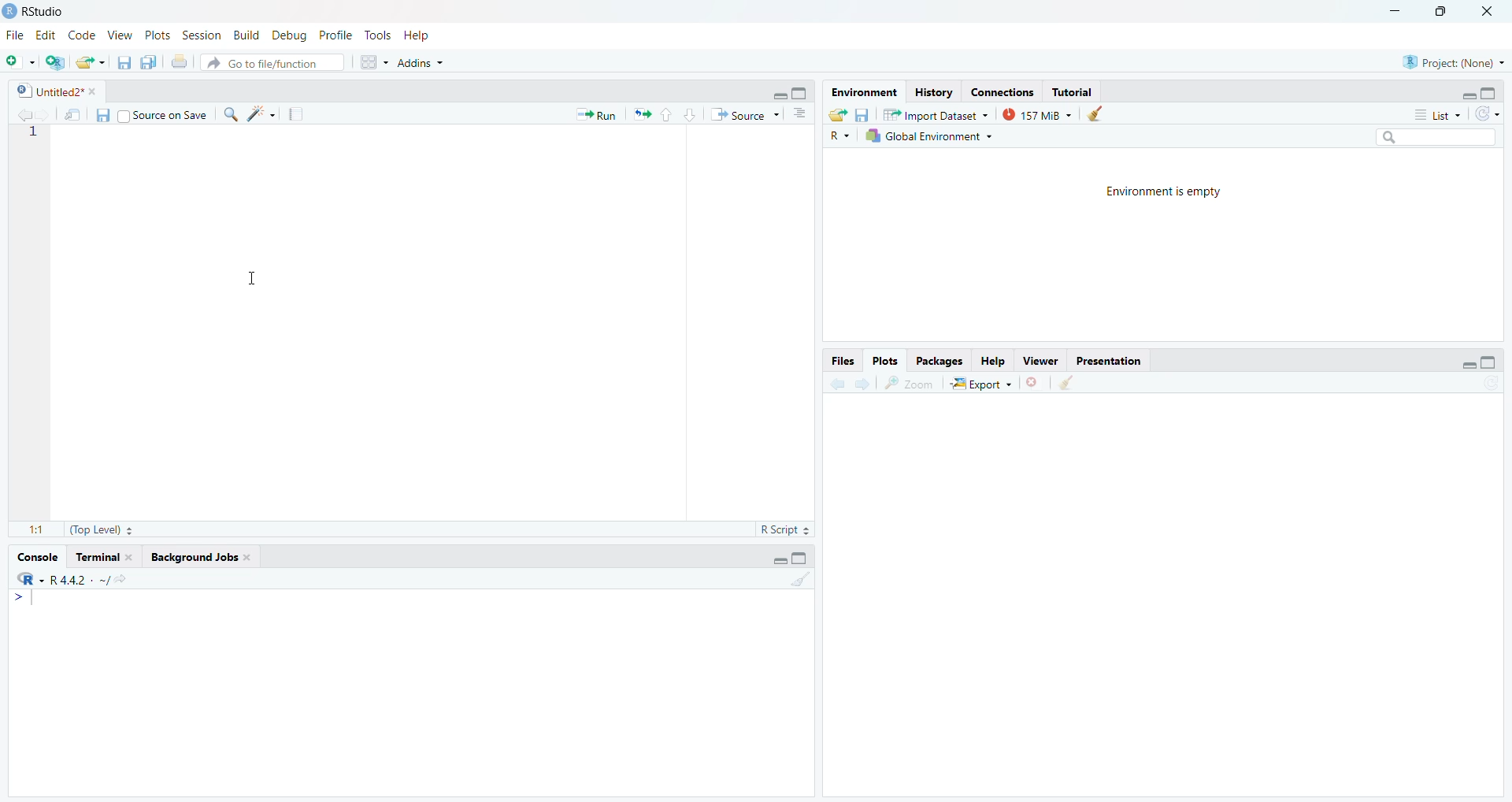  Describe the element at coordinates (1110, 360) in the screenshot. I see `Presentation` at that location.